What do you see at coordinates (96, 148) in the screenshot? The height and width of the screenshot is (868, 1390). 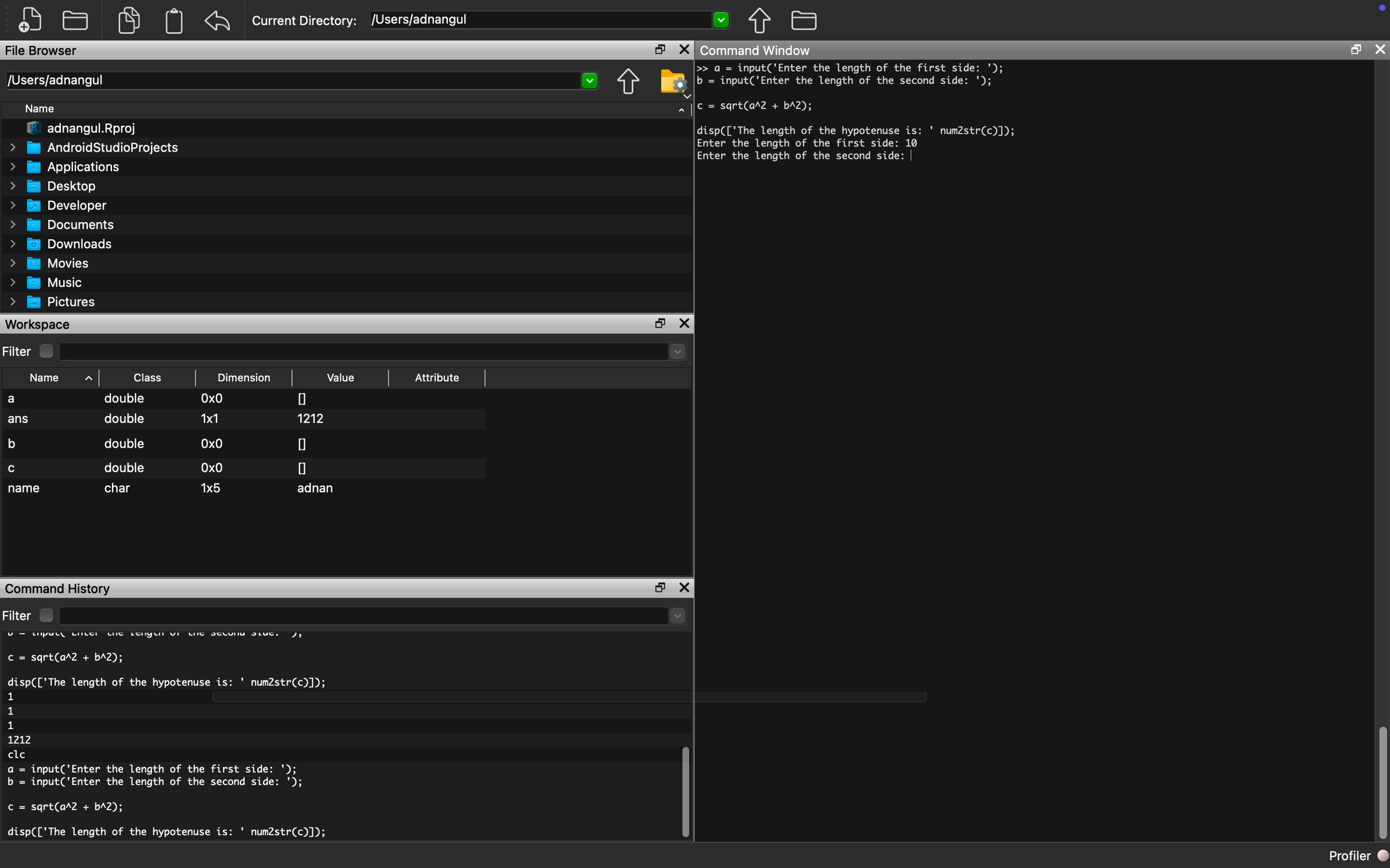 I see `AndroidStudioProjects` at bounding box center [96, 148].